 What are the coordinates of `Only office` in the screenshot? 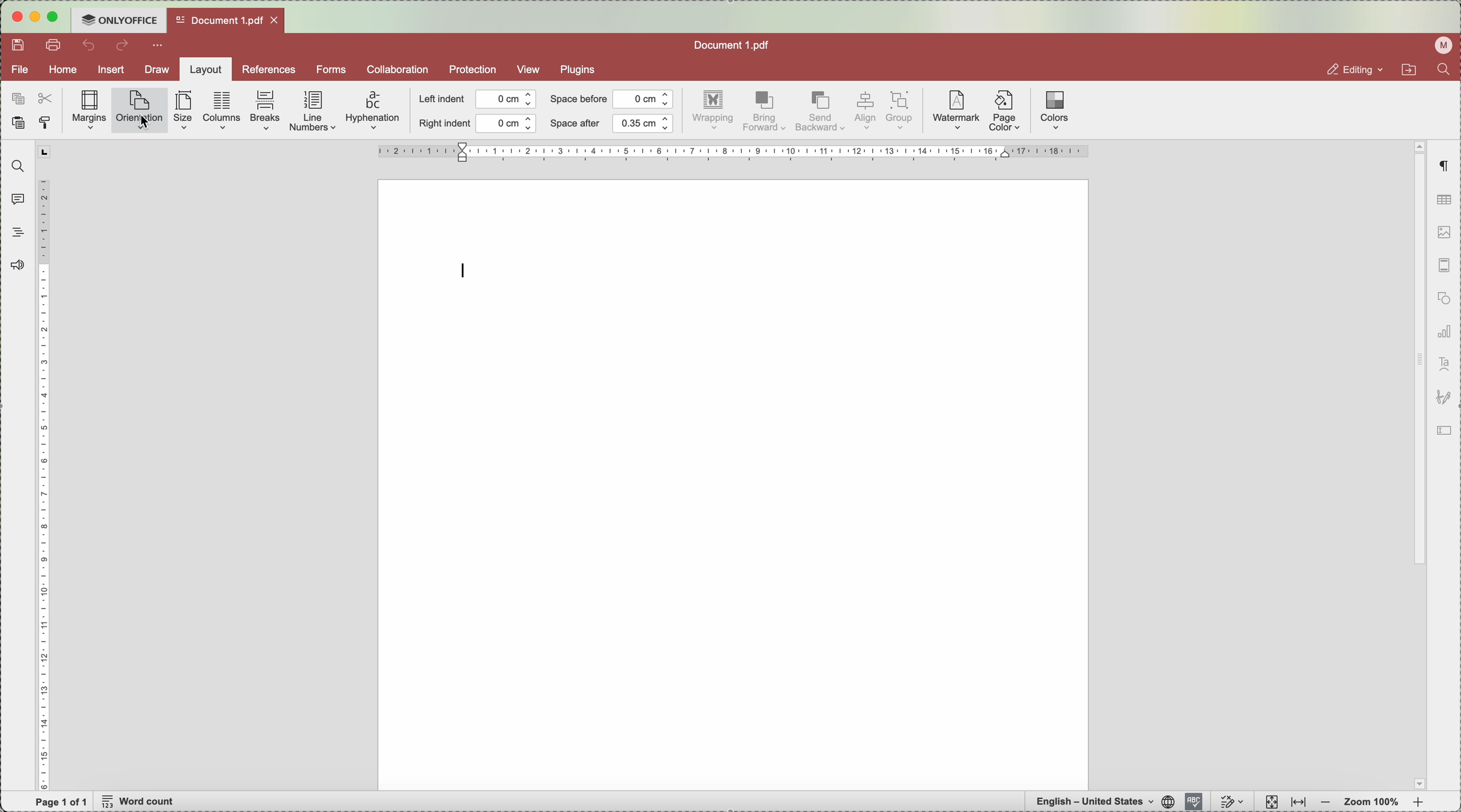 It's located at (119, 19).